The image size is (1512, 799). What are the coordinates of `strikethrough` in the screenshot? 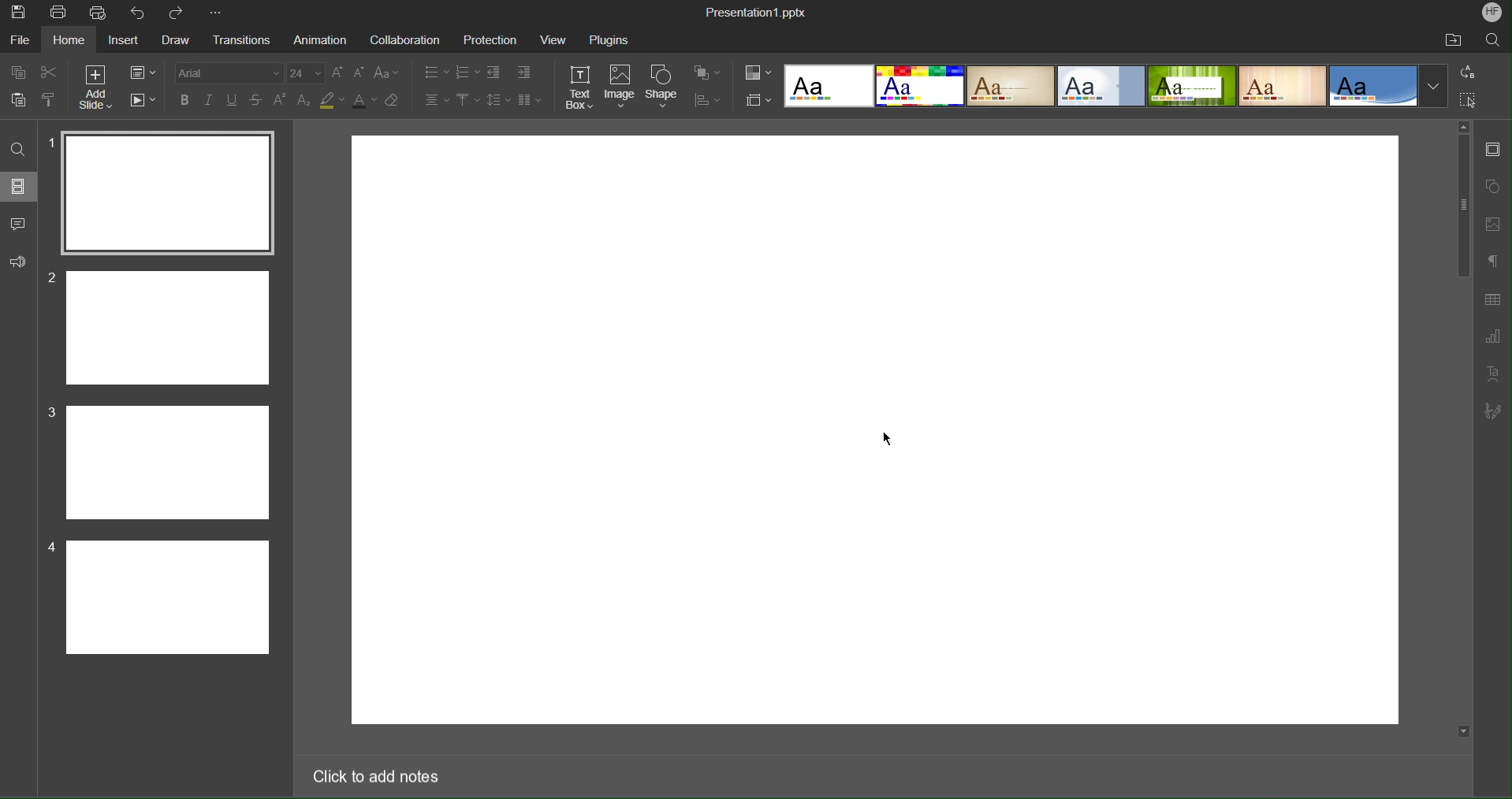 It's located at (257, 101).